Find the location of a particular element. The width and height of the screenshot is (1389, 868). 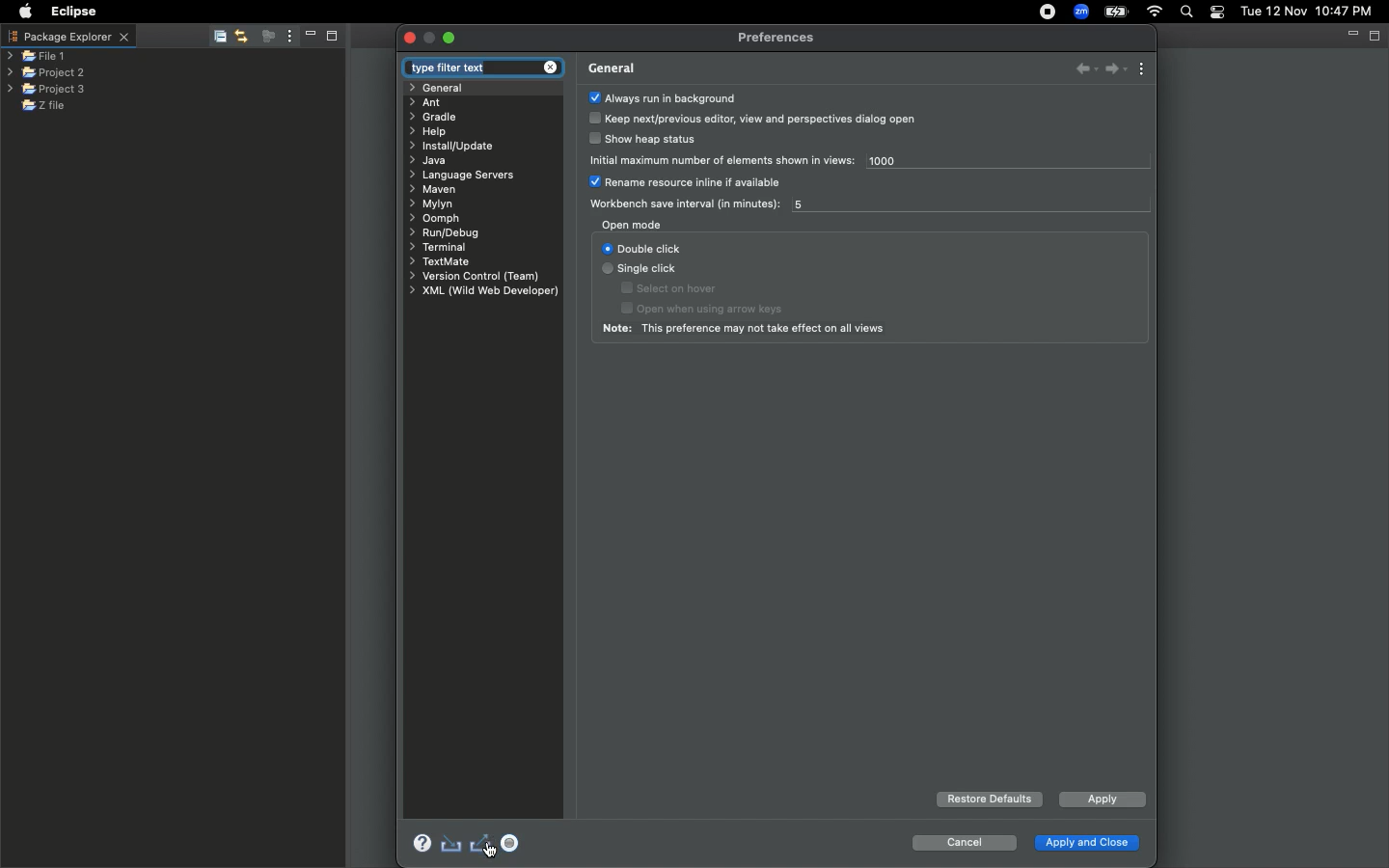

Terminal is located at coordinates (437, 247).